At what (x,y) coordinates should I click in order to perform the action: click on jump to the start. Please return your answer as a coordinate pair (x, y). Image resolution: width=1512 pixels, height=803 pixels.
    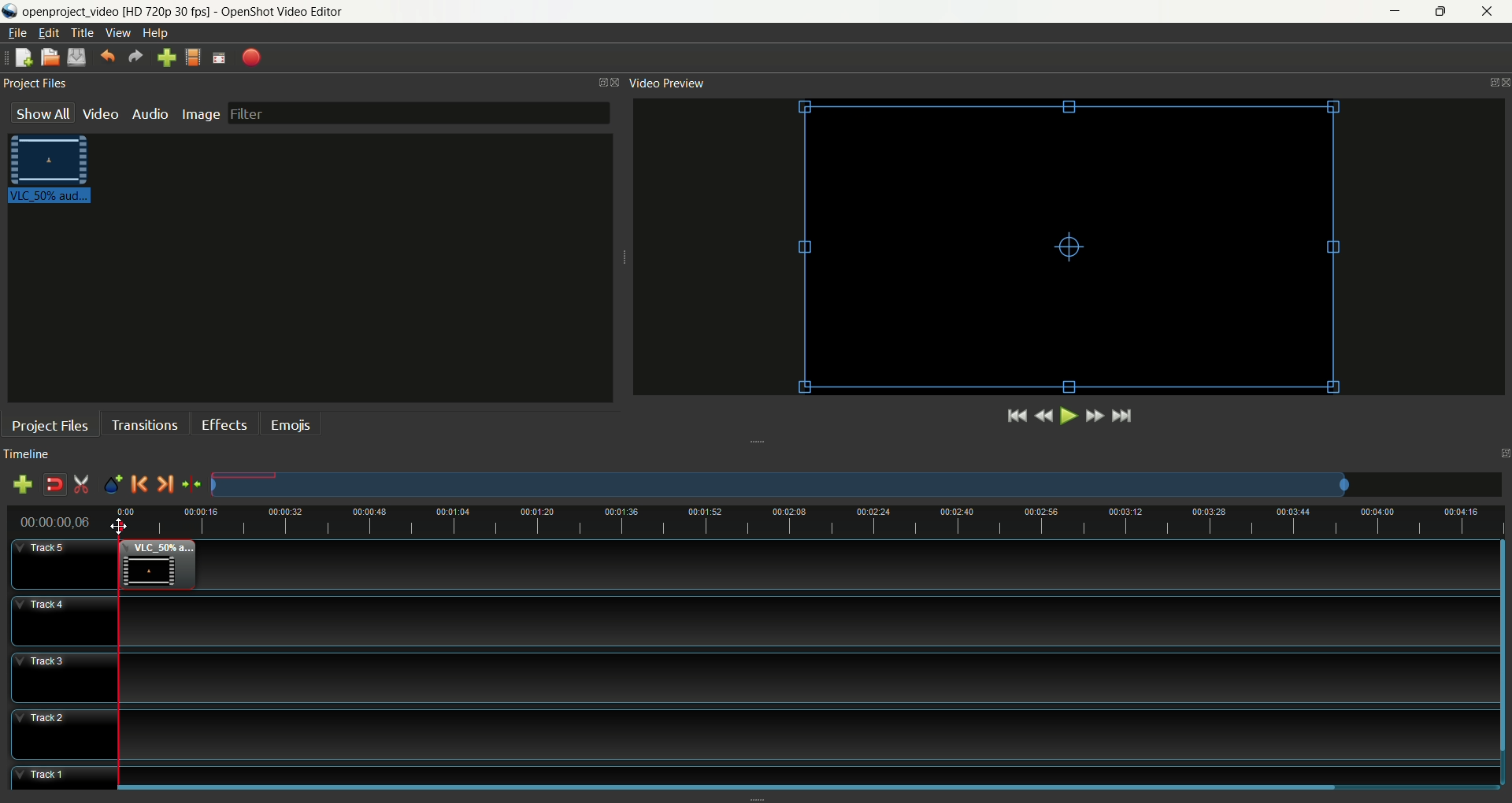
    Looking at the image, I should click on (1017, 415).